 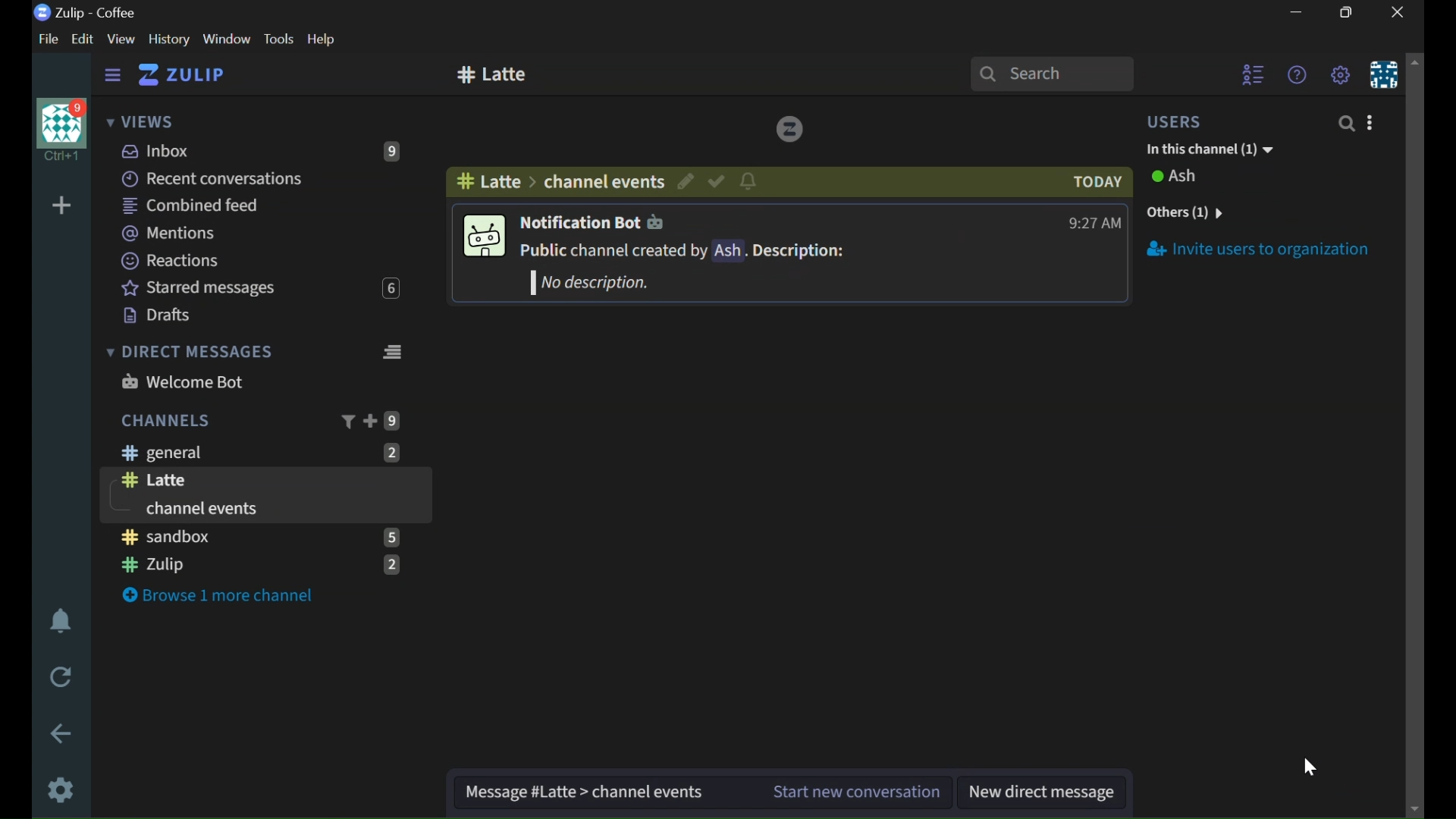 What do you see at coordinates (601, 180) in the screenshot?
I see `Channel events` at bounding box center [601, 180].